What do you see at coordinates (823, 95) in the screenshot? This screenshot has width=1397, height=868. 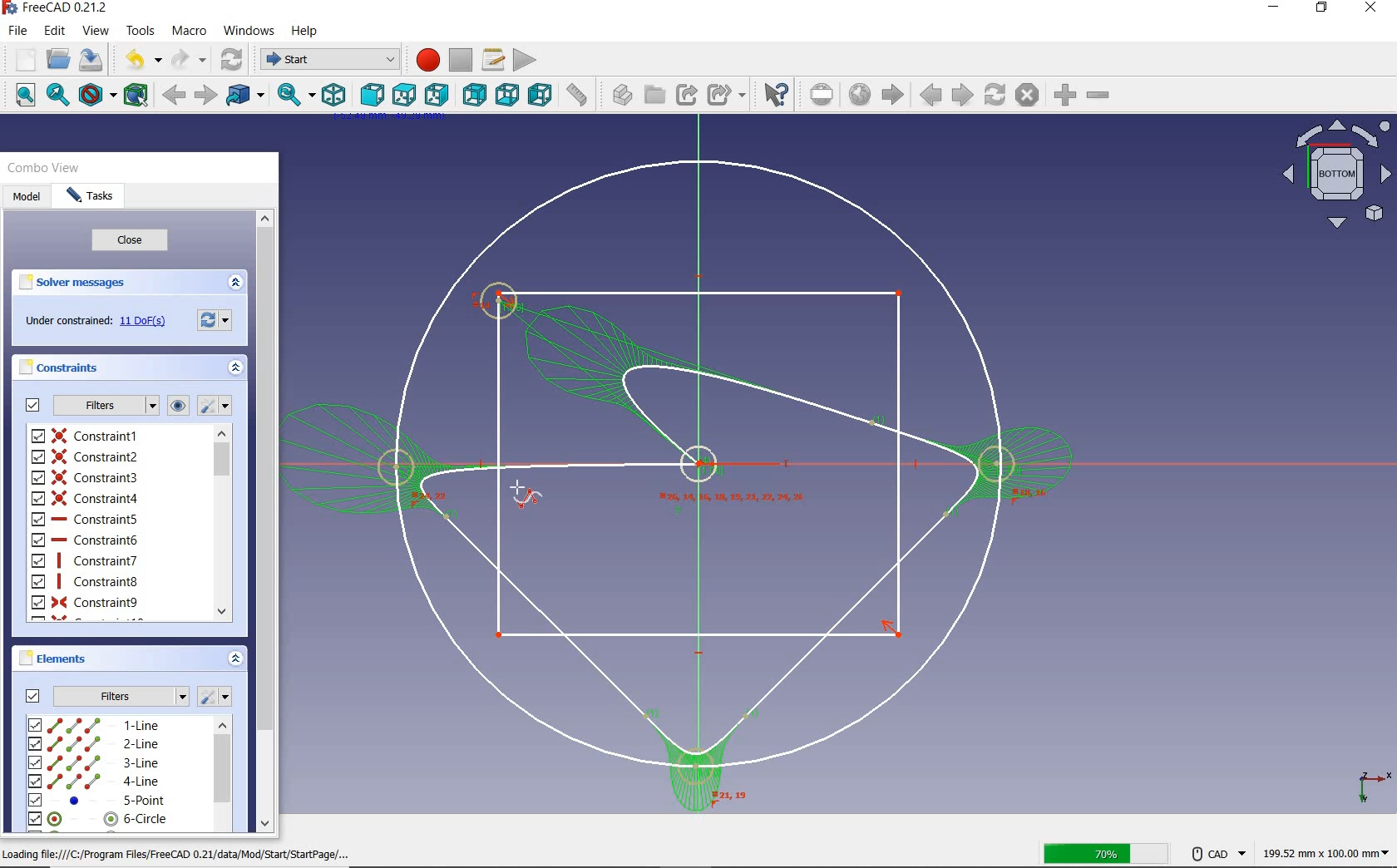 I see `set url` at bounding box center [823, 95].